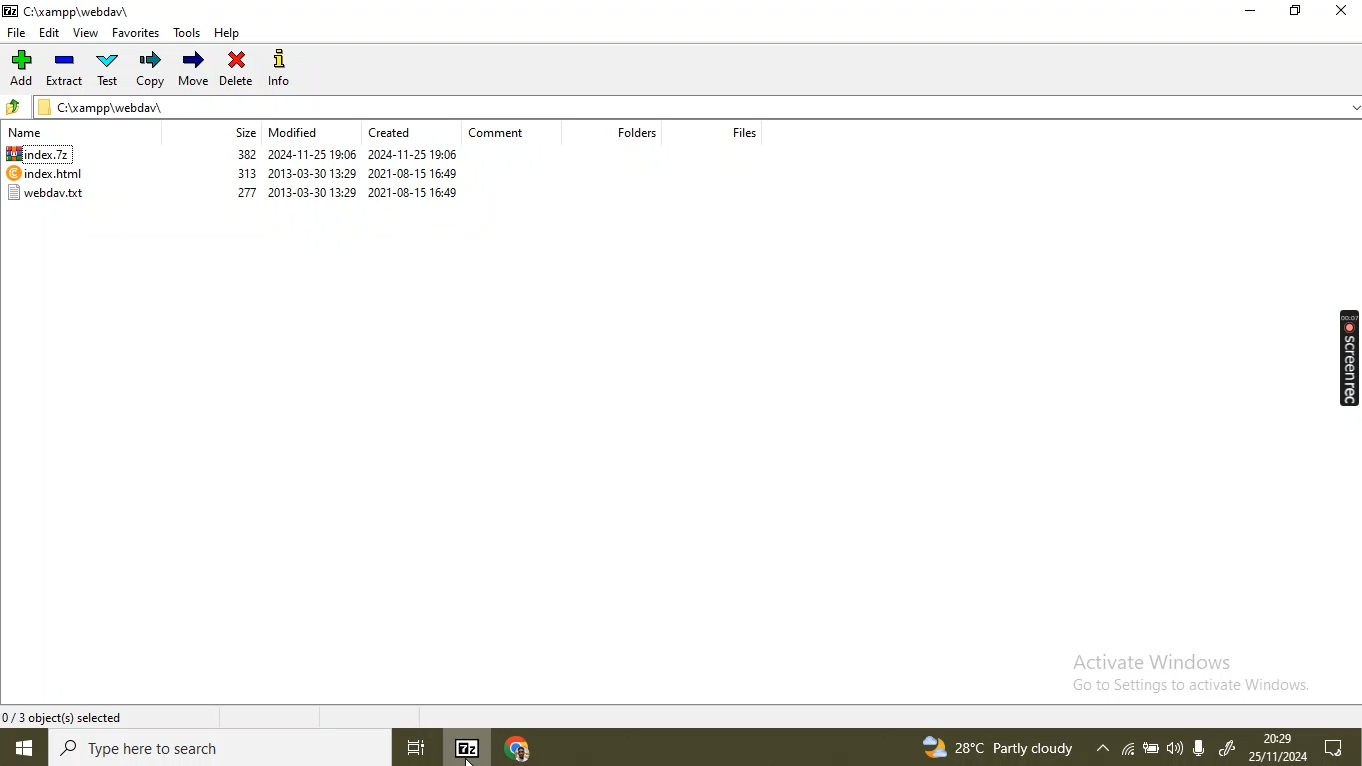  I want to click on screen rec, so click(1348, 355).